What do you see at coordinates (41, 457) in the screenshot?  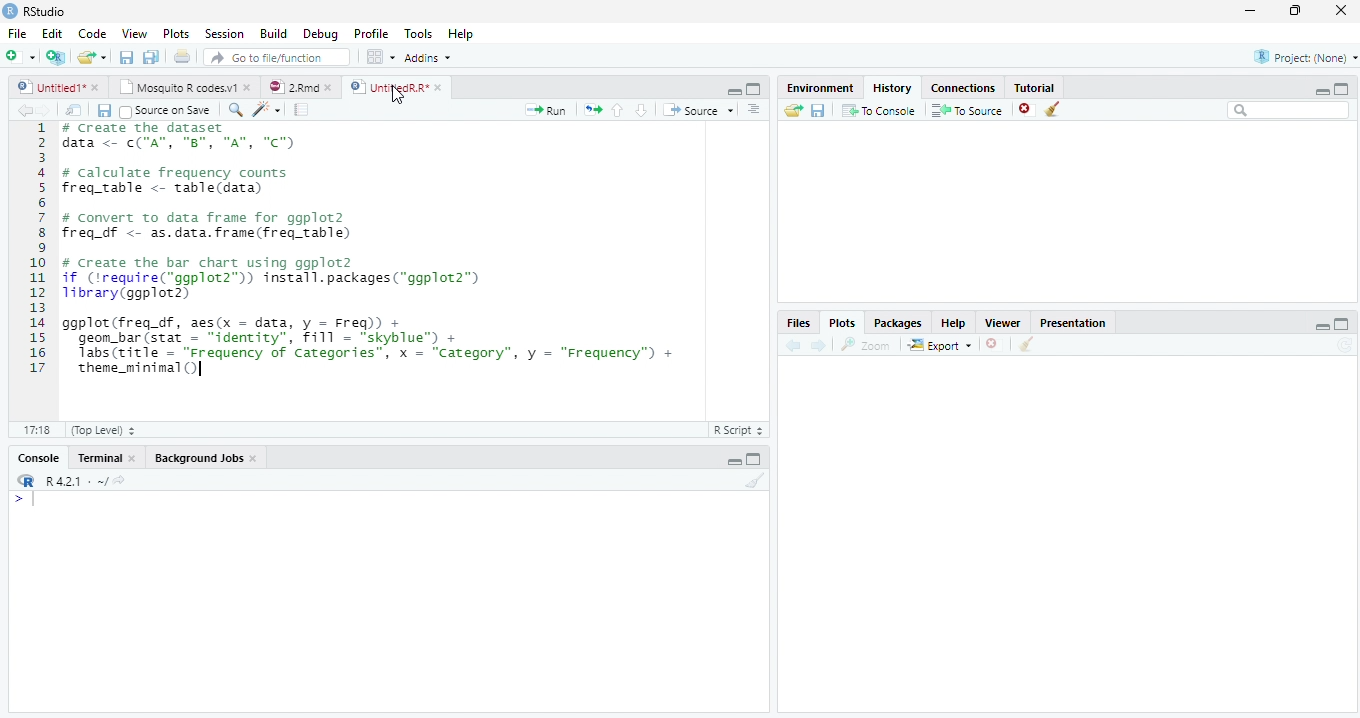 I see `Console` at bounding box center [41, 457].